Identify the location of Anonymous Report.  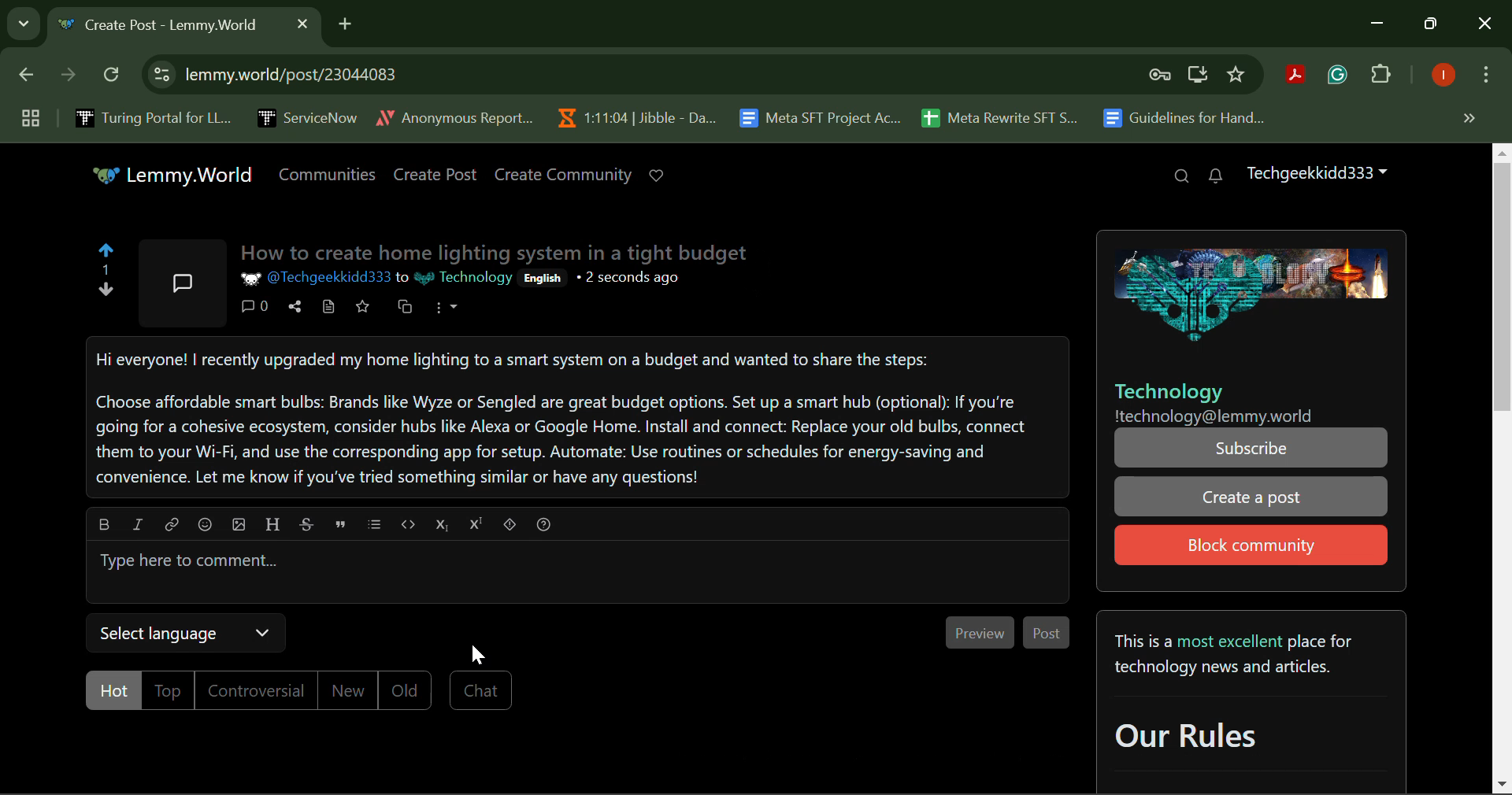
(454, 115).